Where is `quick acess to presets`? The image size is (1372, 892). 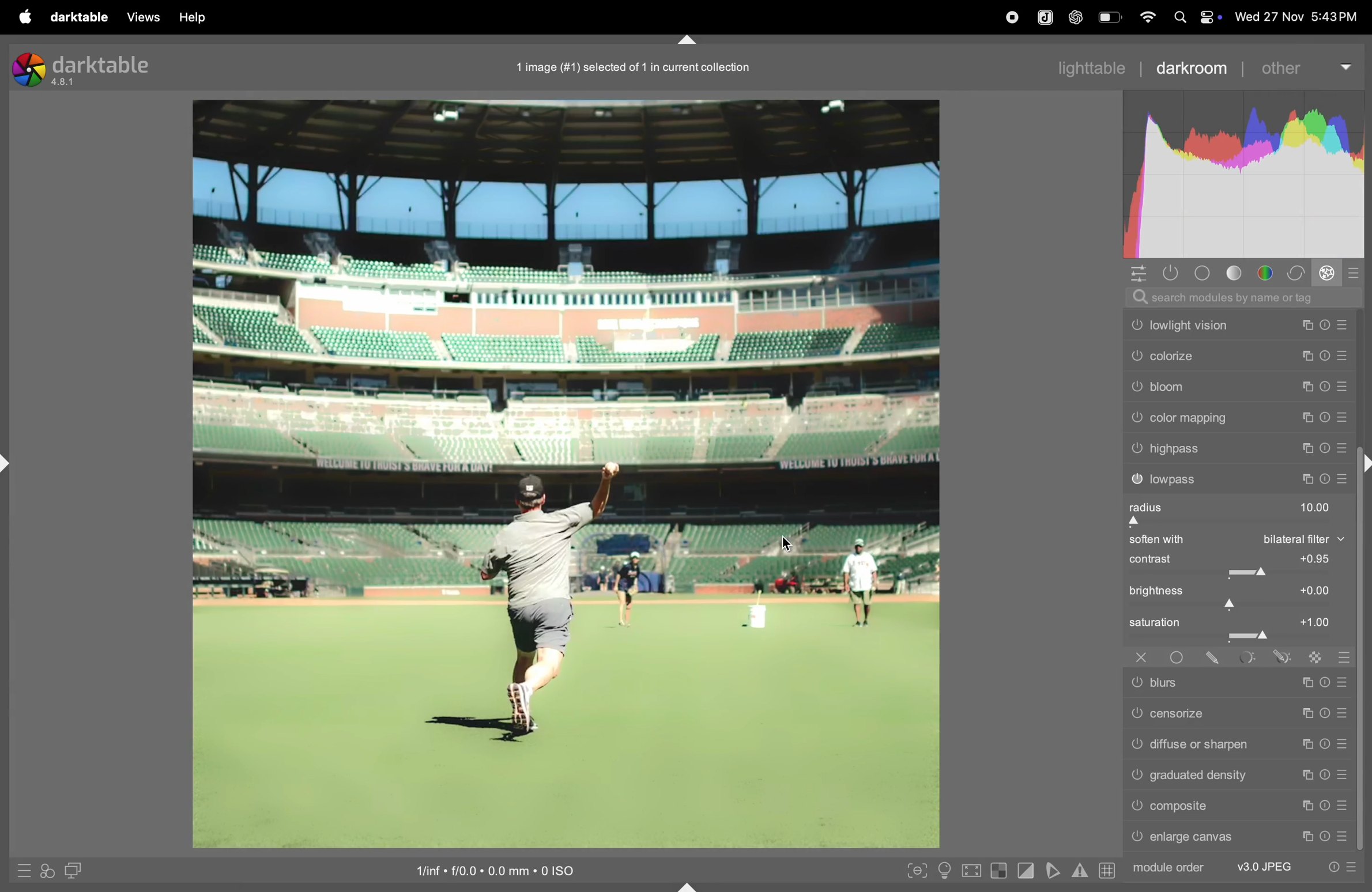
quick acess to presets is located at coordinates (19, 870).